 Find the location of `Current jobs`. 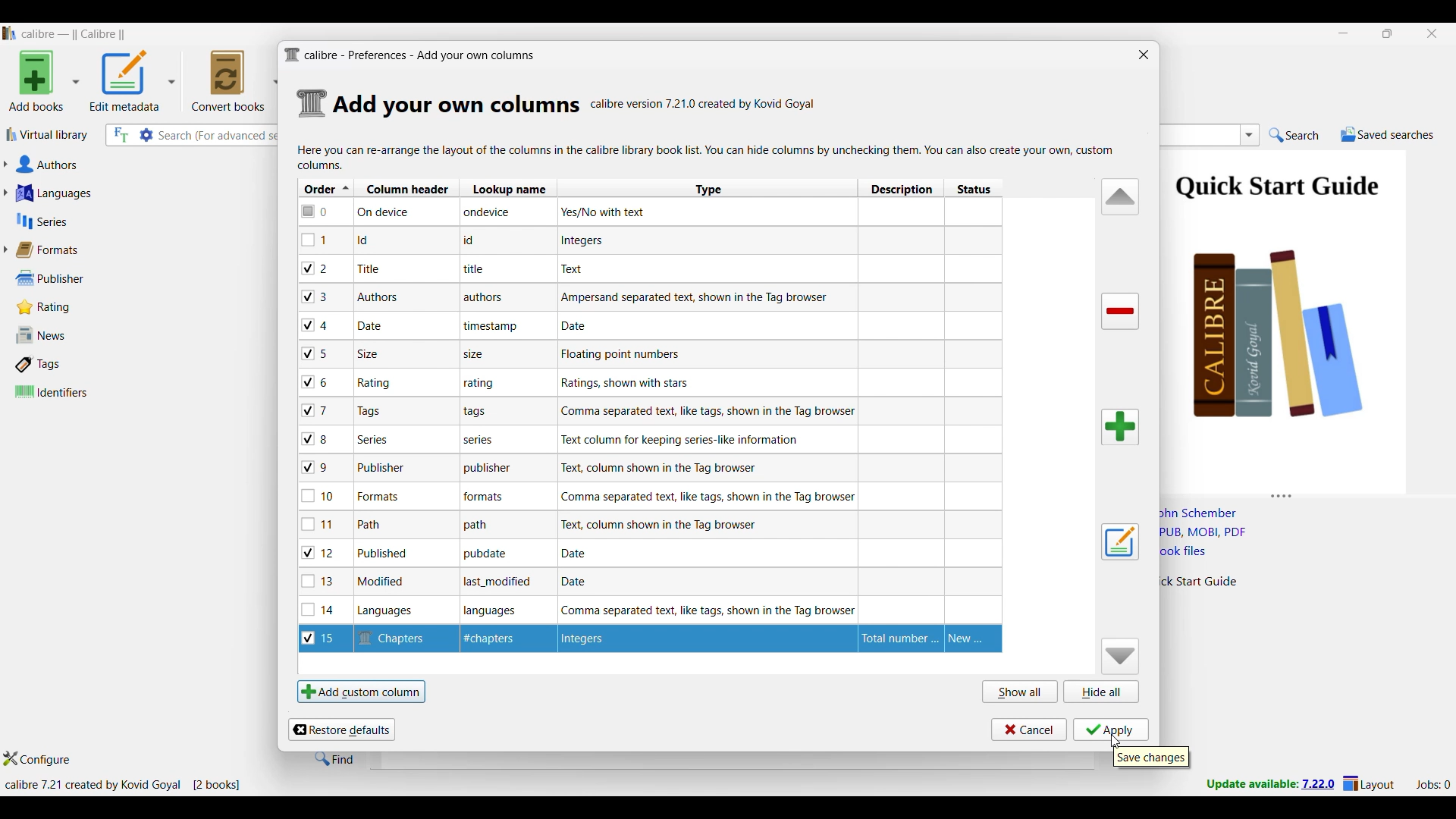

Current jobs is located at coordinates (1432, 785).